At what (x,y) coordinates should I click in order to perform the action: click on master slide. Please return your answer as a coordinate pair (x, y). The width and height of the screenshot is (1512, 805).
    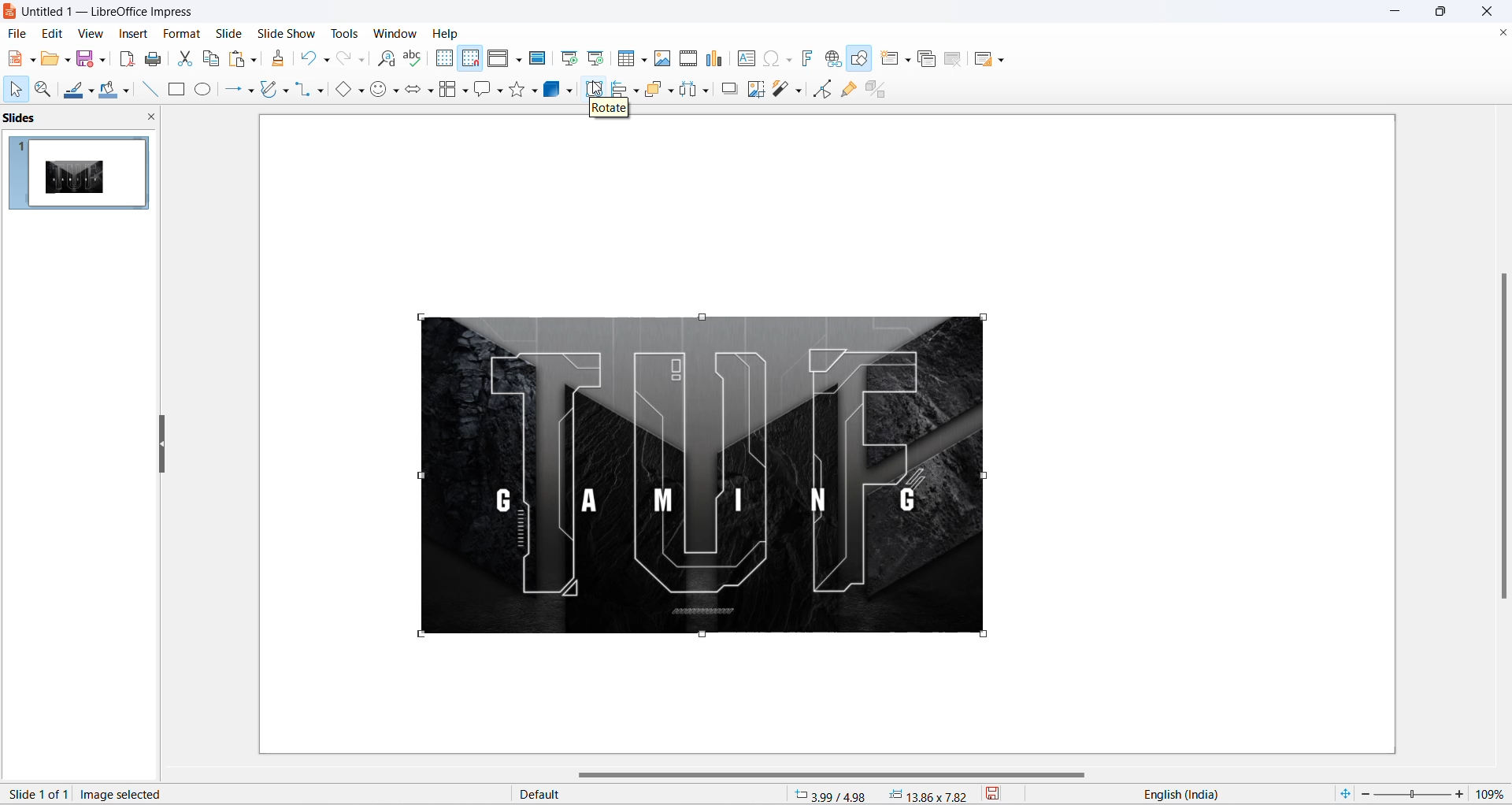
    Looking at the image, I should click on (539, 57).